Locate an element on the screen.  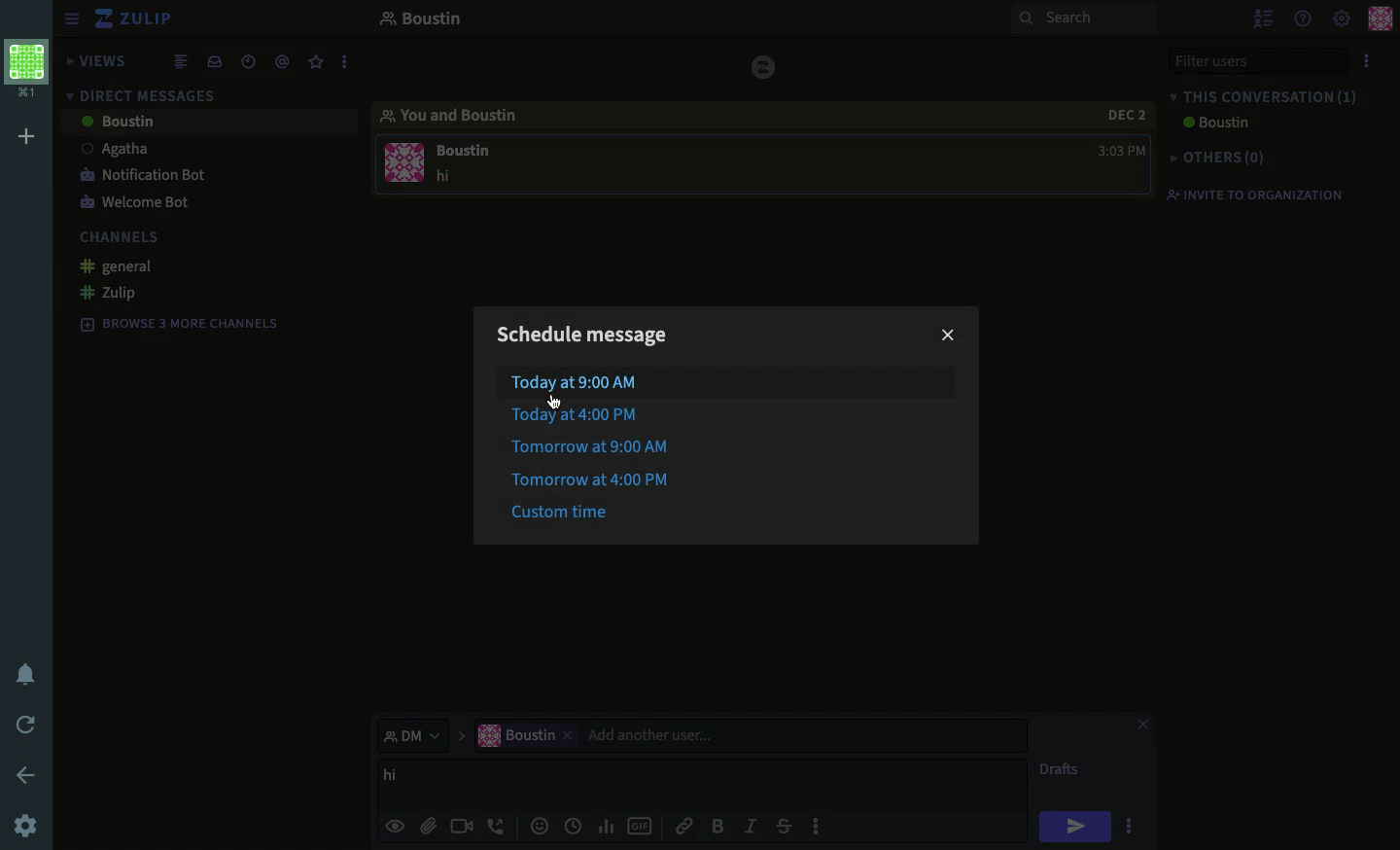
zulip is located at coordinates (134, 18).